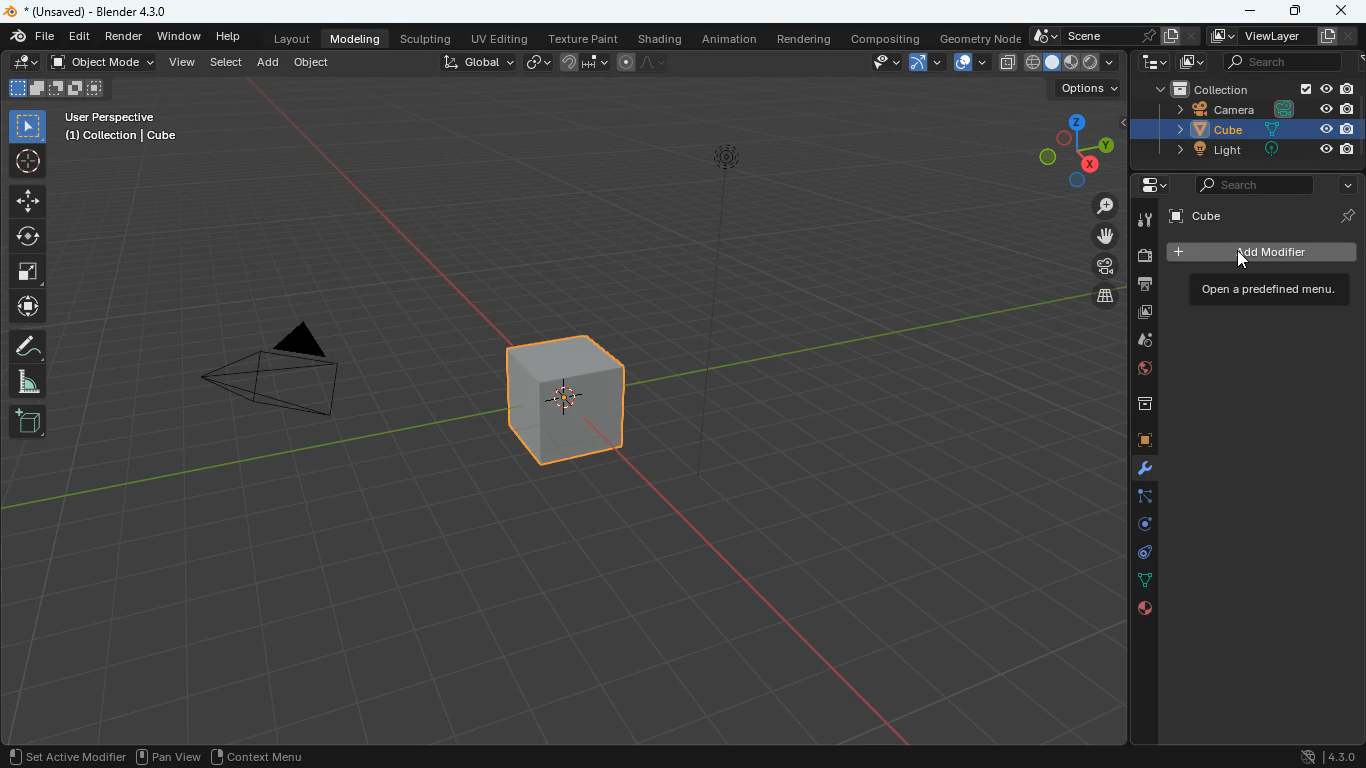 This screenshot has height=768, width=1366. What do you see at coordinates (1142, 315) in the screenshot?
I see `image` at bounding box center [1142, 315].